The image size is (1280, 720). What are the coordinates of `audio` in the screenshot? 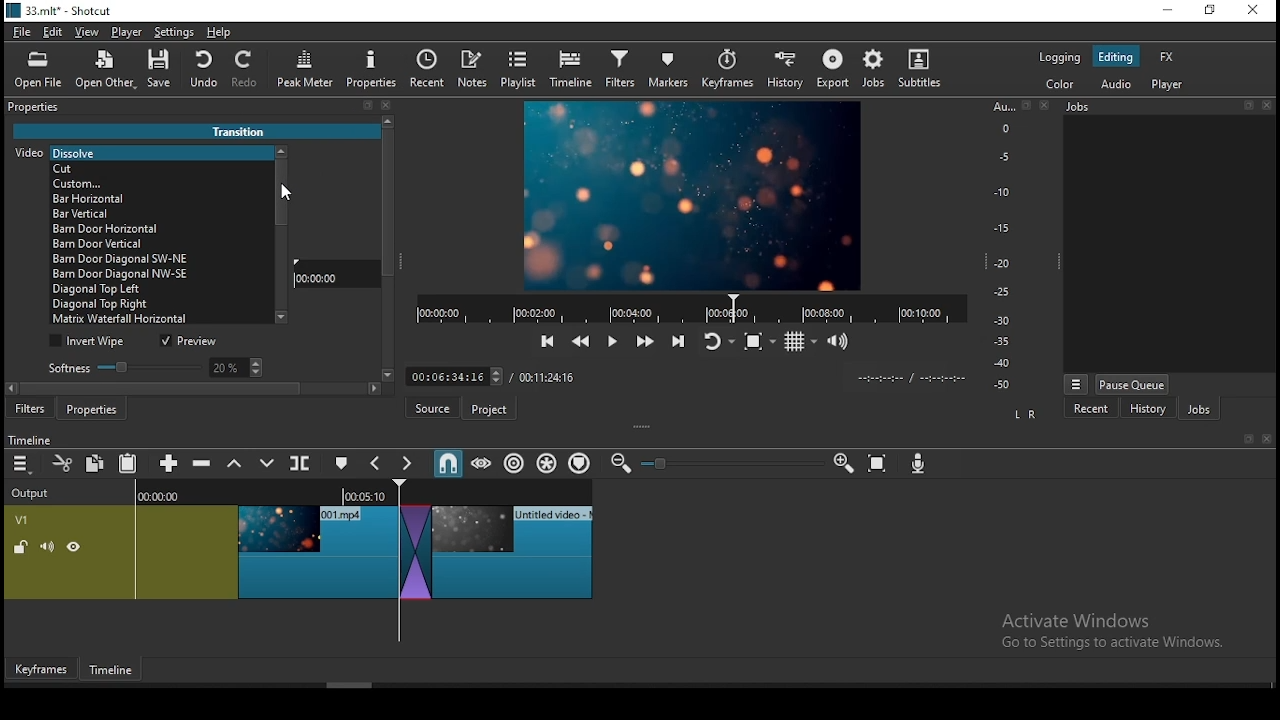 It's located at (1117, 84).